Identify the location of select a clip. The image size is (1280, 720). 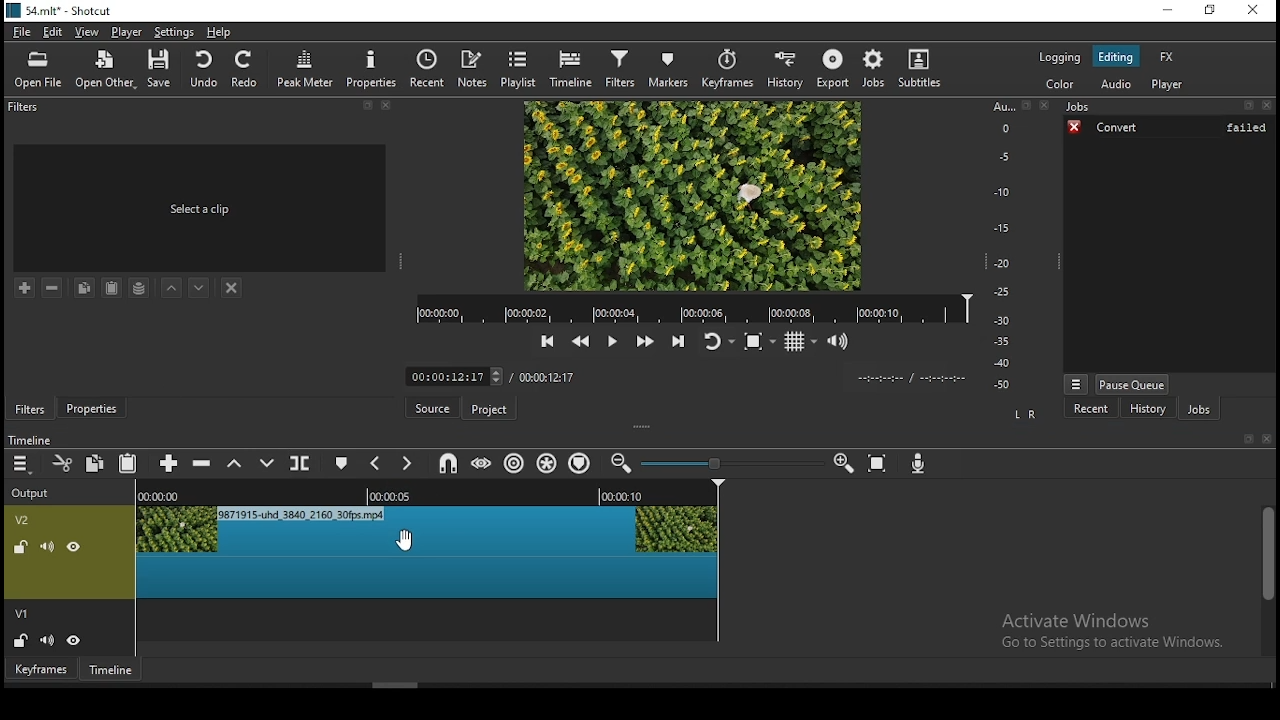
(201, 210).